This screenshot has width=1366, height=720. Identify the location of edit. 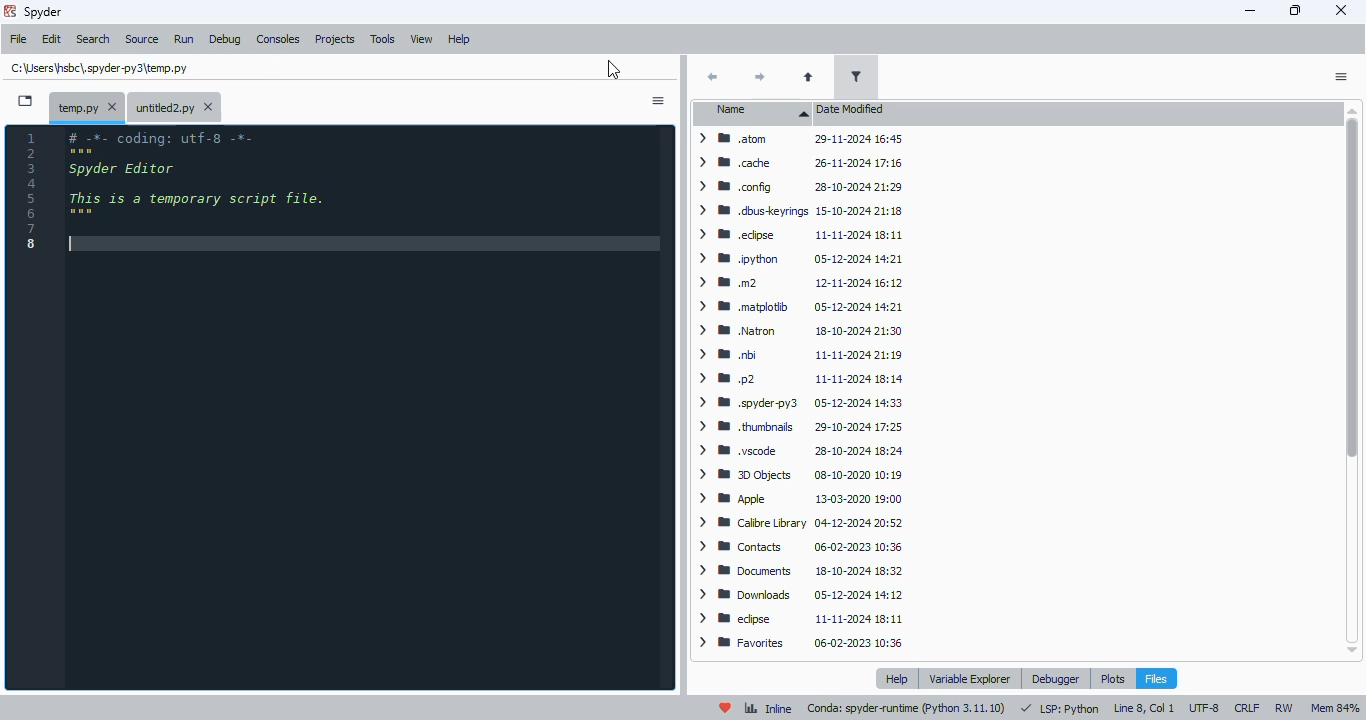
(51, 40).